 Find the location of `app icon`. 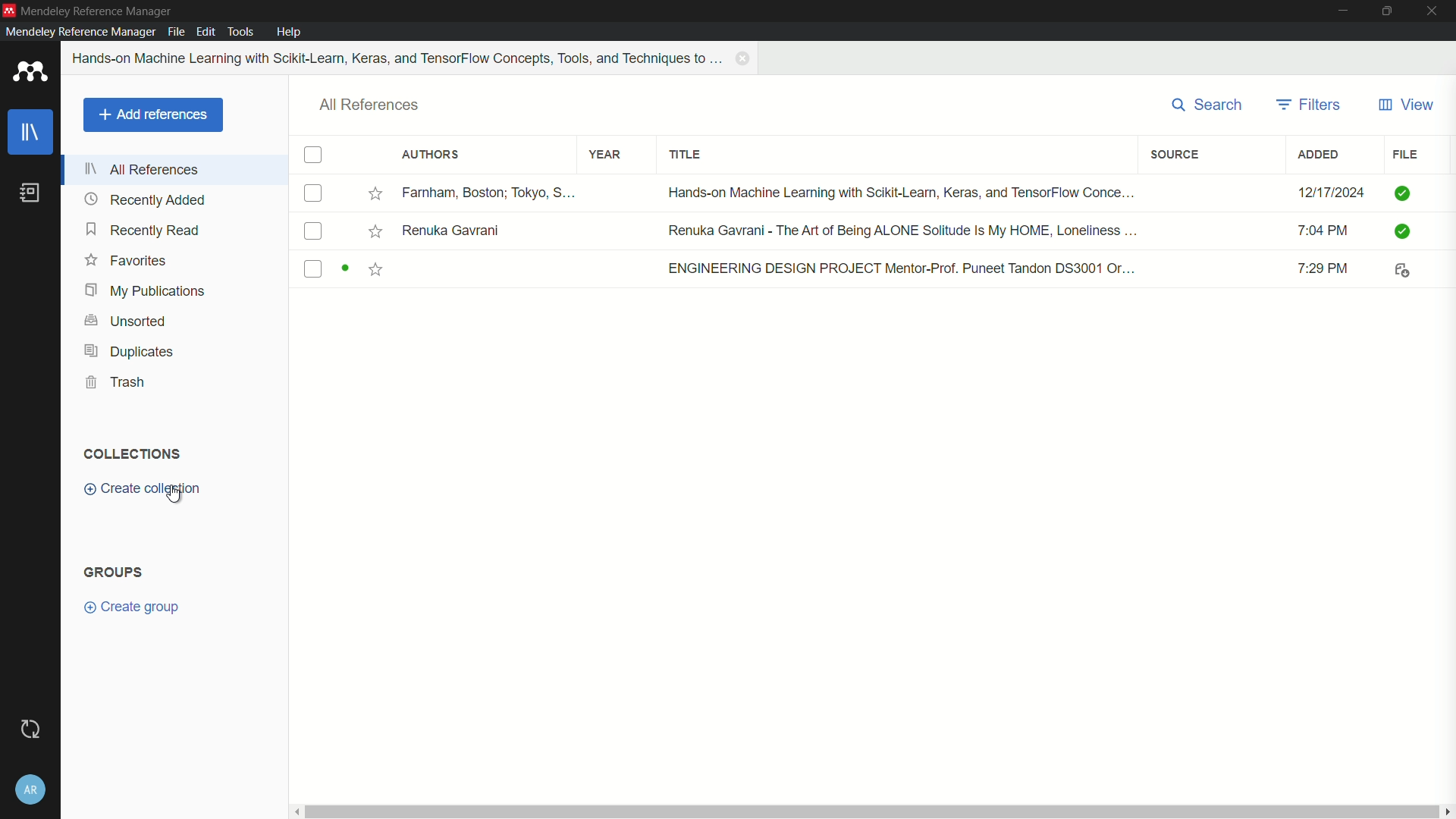

app icon is located at coordinates (30, 74).